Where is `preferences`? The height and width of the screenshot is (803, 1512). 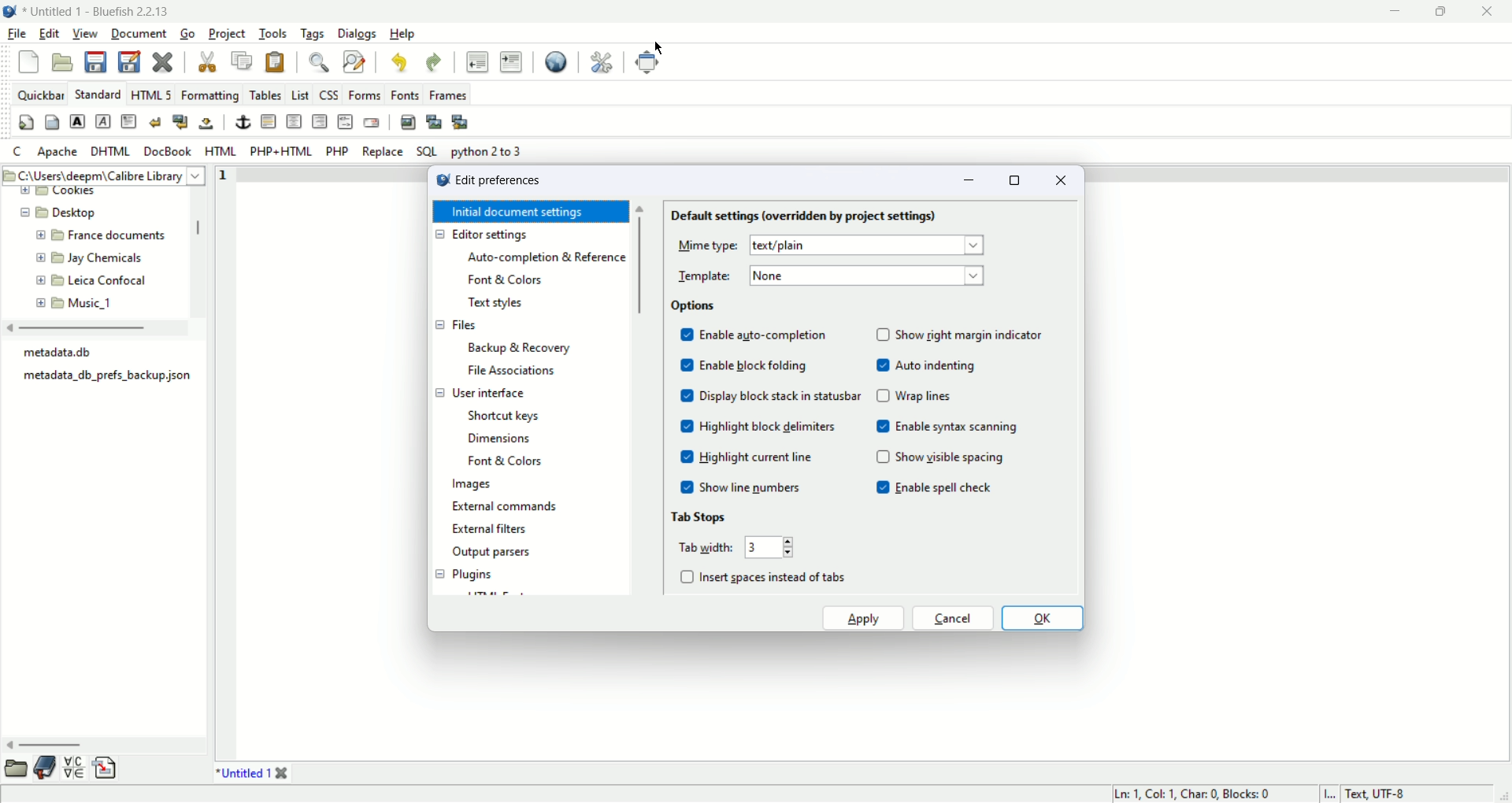
preferences is located at coordinates (601, 61).